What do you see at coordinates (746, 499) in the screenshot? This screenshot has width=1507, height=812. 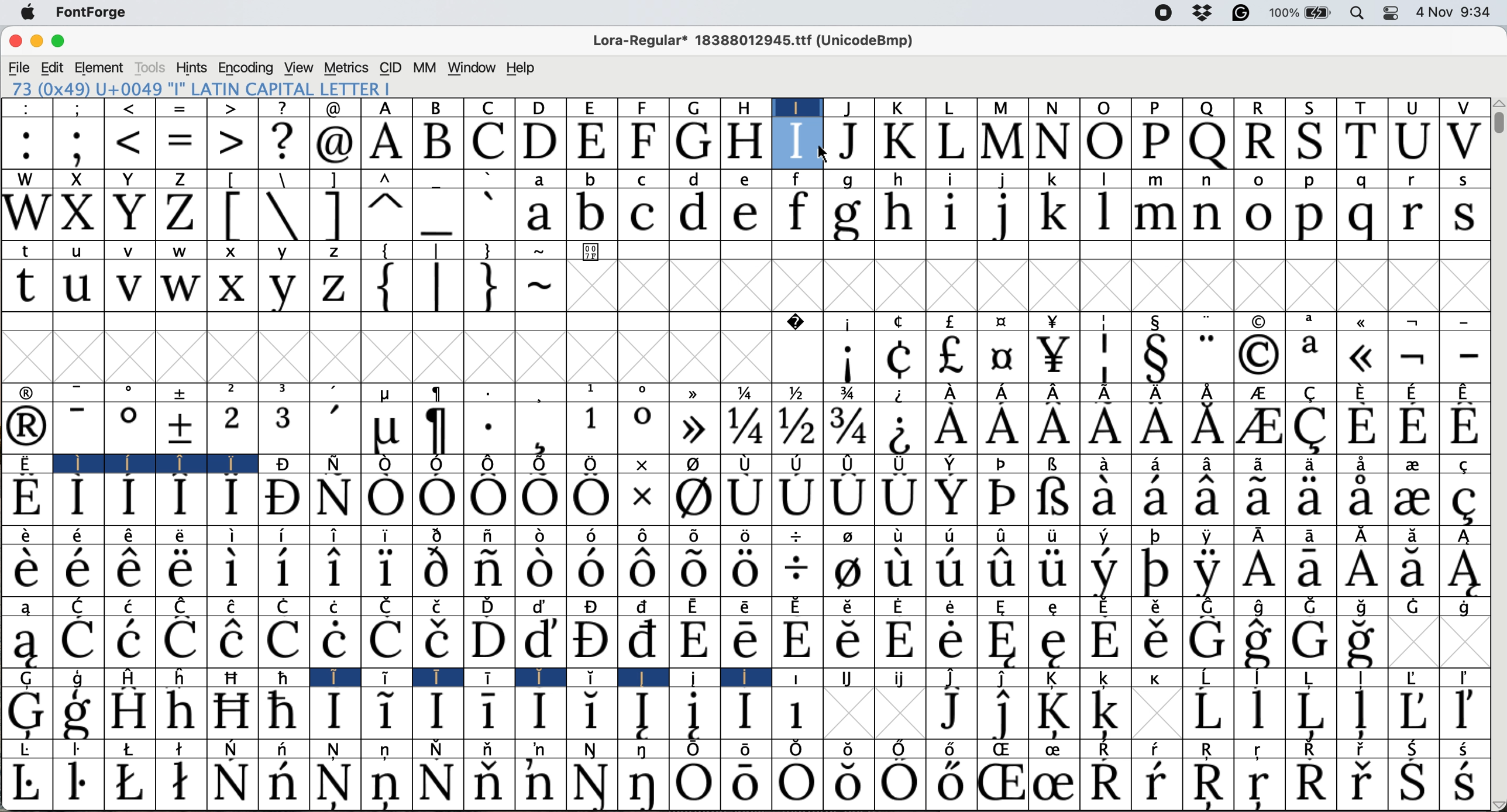 I see `Symbol` at bounding box center [746, 499].